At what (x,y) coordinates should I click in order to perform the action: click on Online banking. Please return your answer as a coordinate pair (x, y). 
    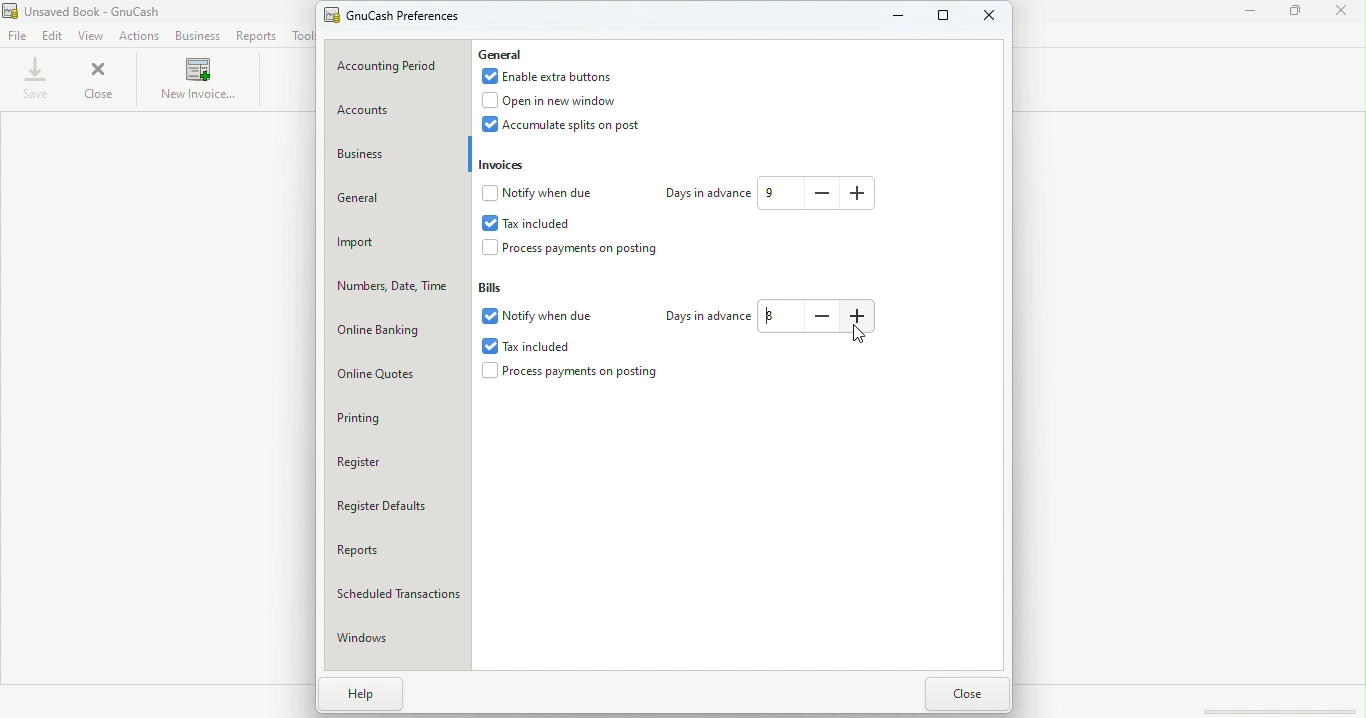
    Looking at the image, I should click on (394, 328).